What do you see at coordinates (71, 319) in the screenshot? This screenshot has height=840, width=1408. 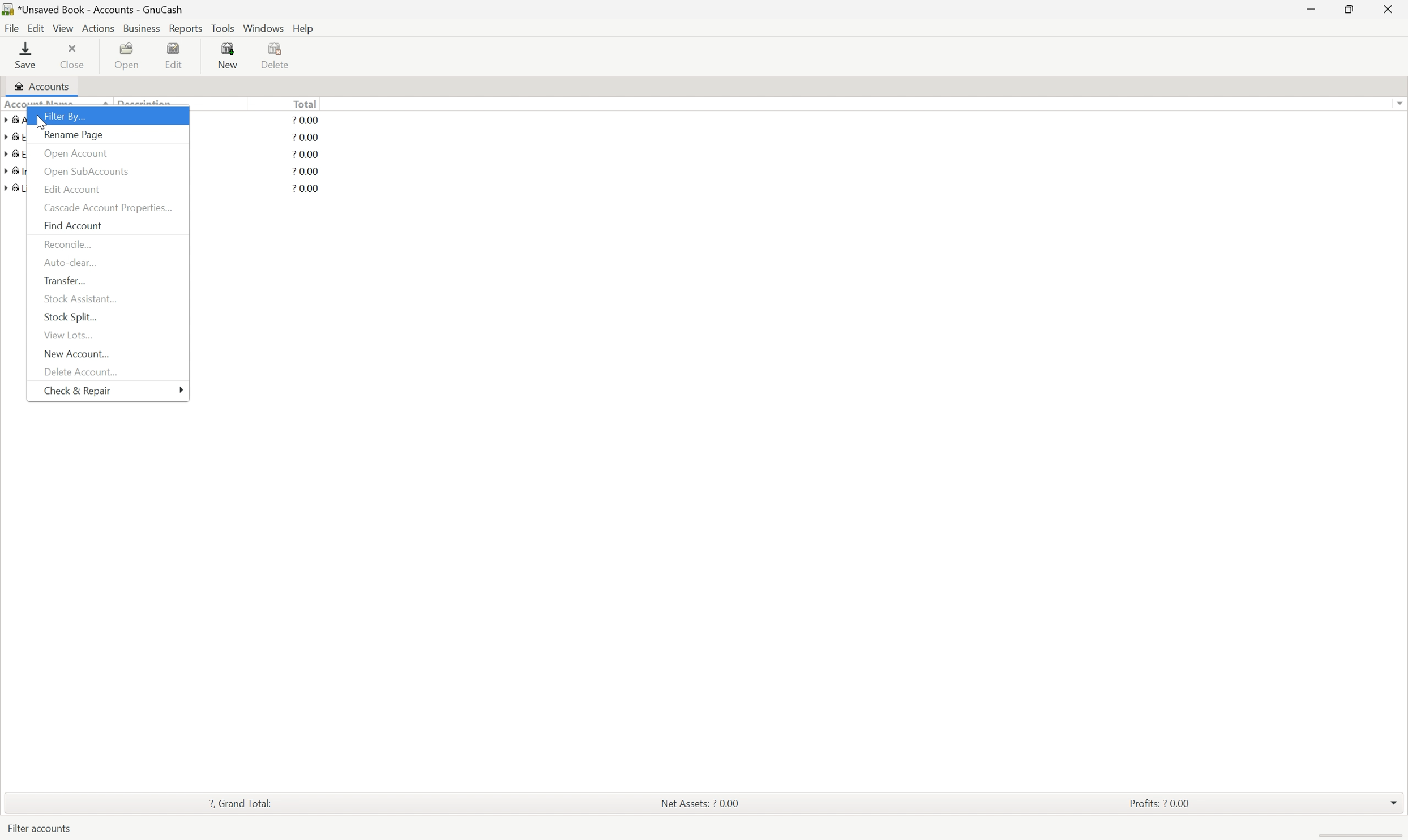 I see `Stock Split` at bounding box center [71, 319].